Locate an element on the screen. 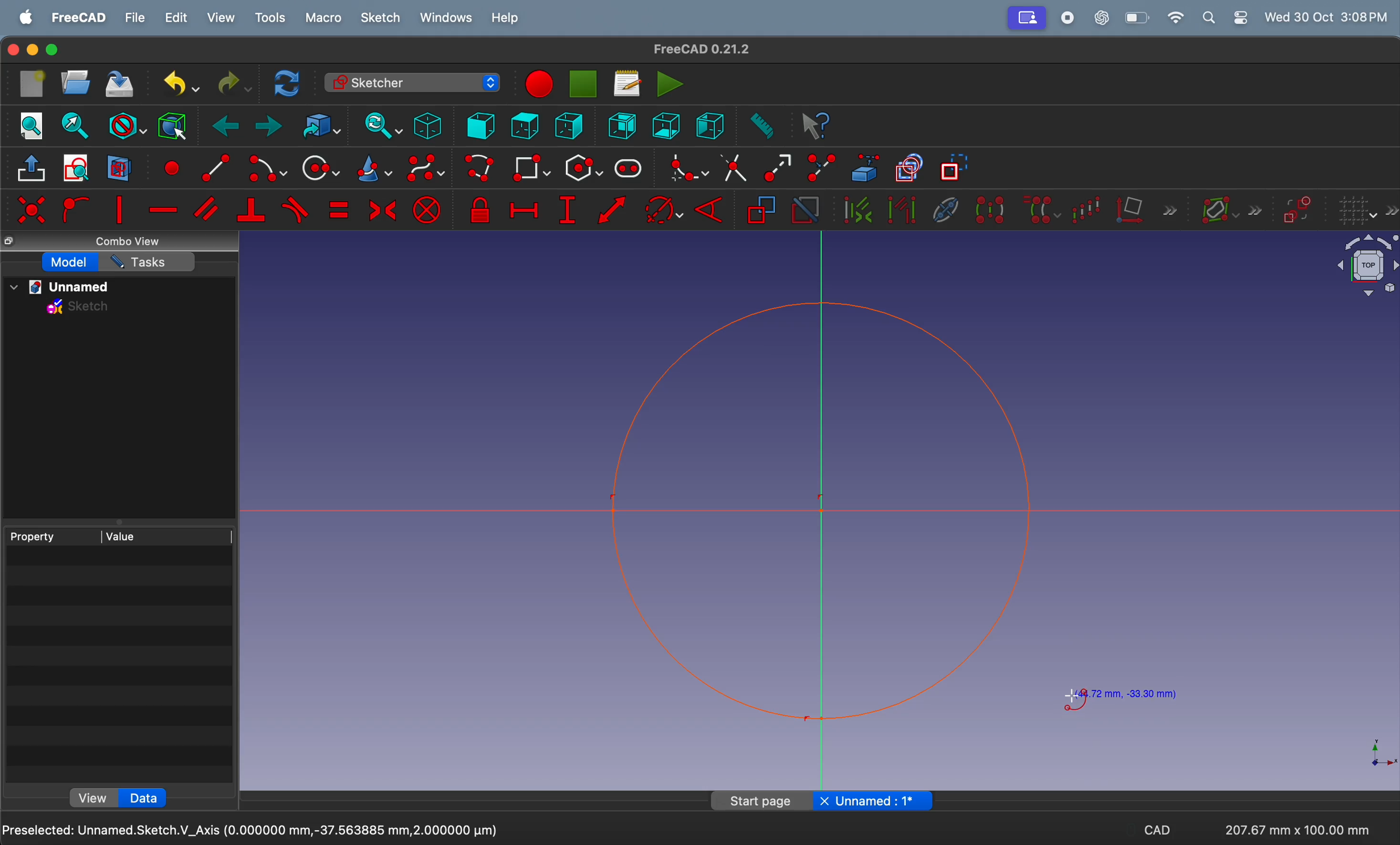 This screenshot has height=845, width=1400. pause marco is located at coordinates (584, 84).